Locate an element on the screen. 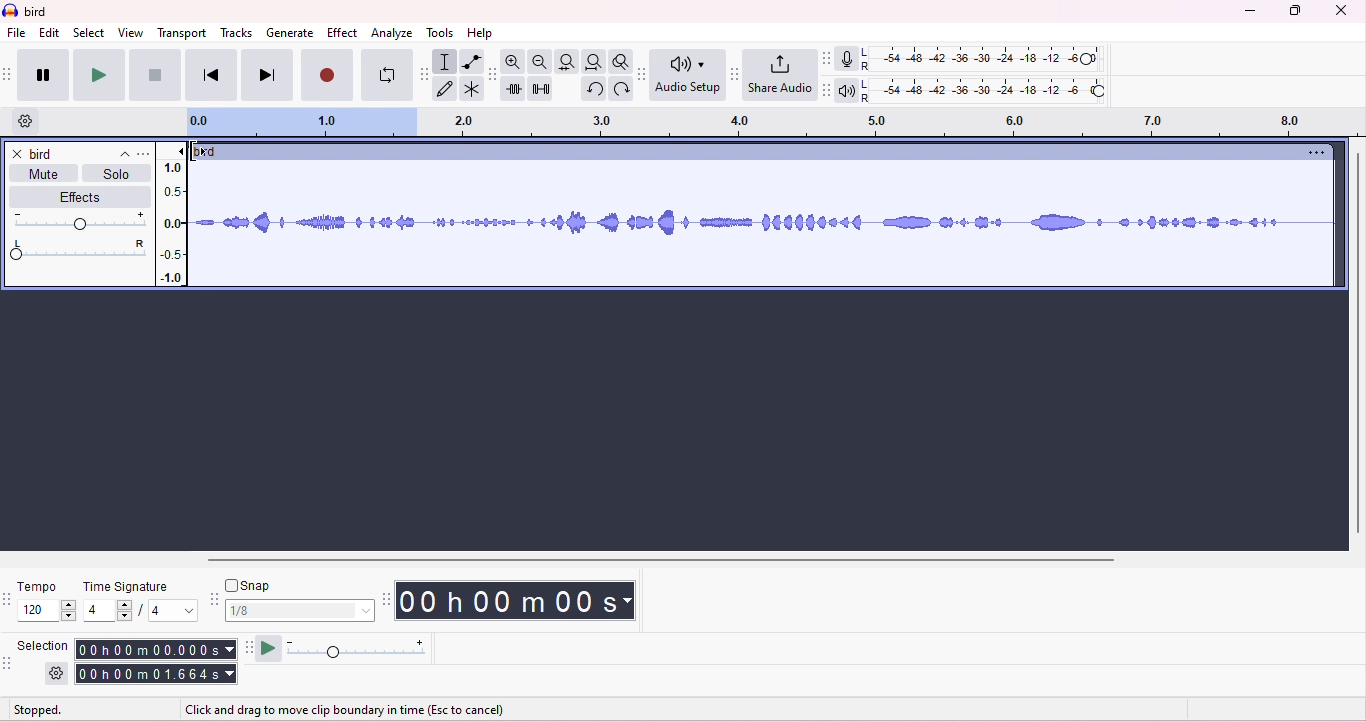 This screenshot has width=1366, height=722. timeline is located at coordinates (769, 124).